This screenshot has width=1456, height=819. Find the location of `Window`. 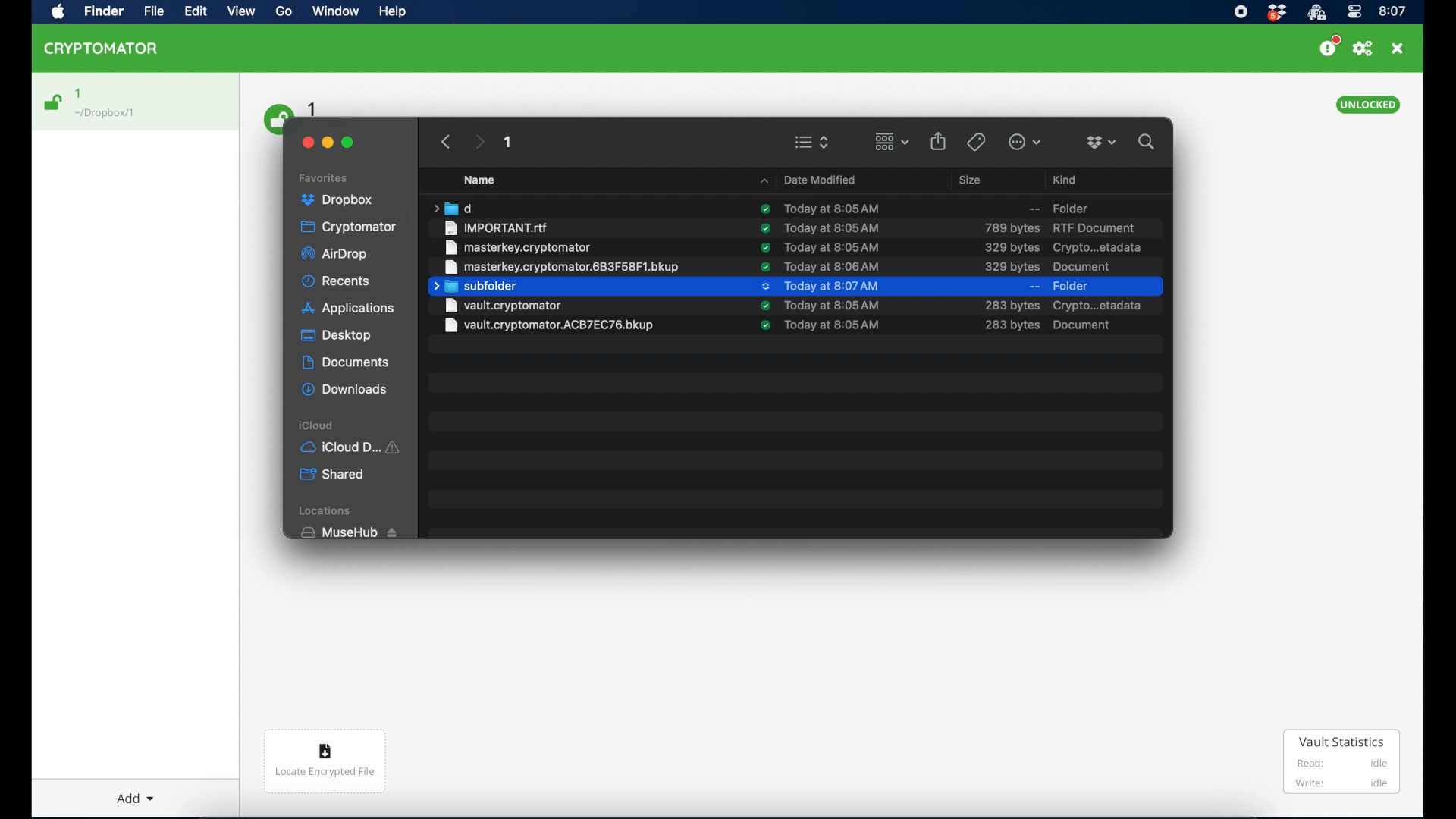

Window is located at coordinates (340, 14).